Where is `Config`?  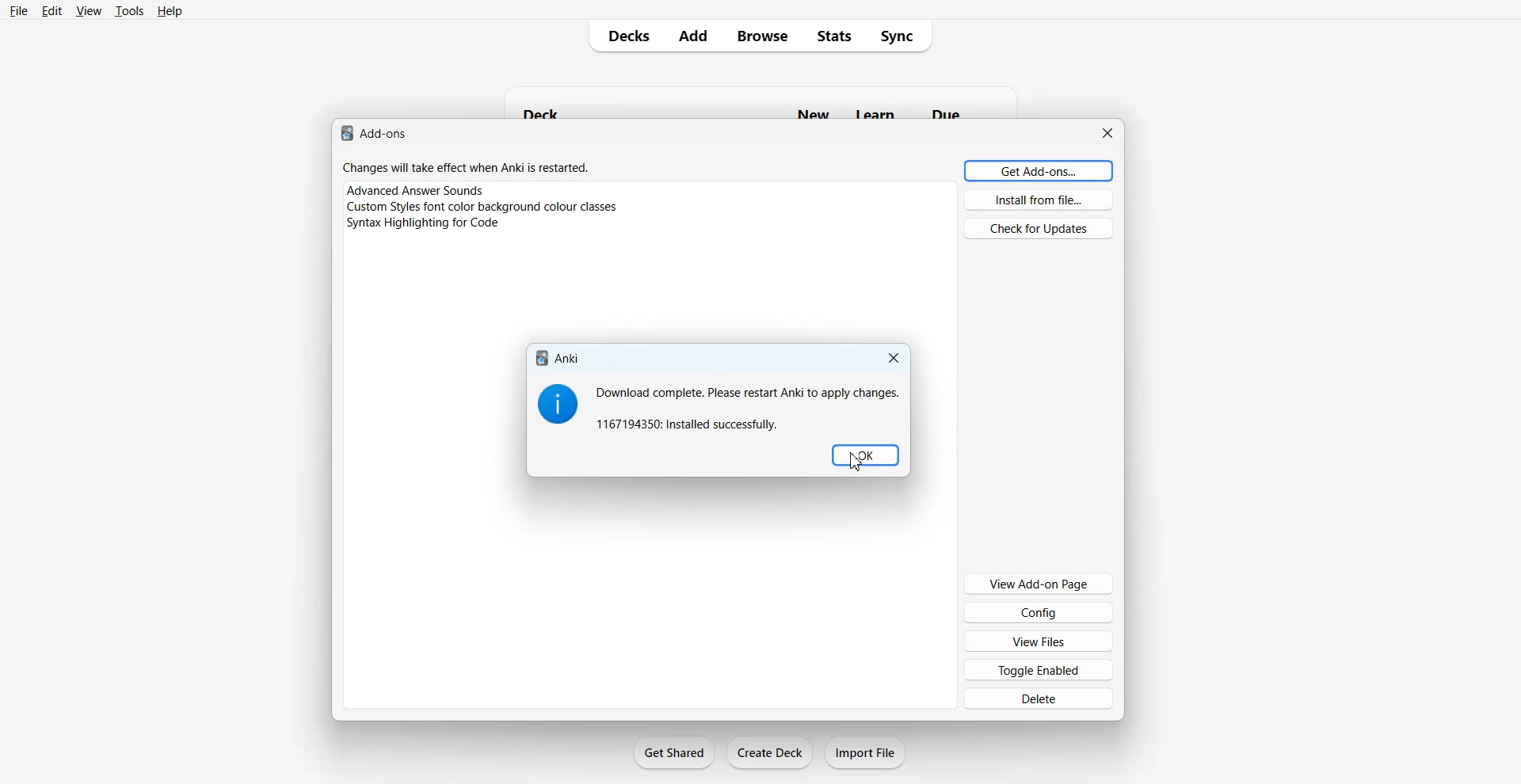
Config is located at coordinates (1039, 612).